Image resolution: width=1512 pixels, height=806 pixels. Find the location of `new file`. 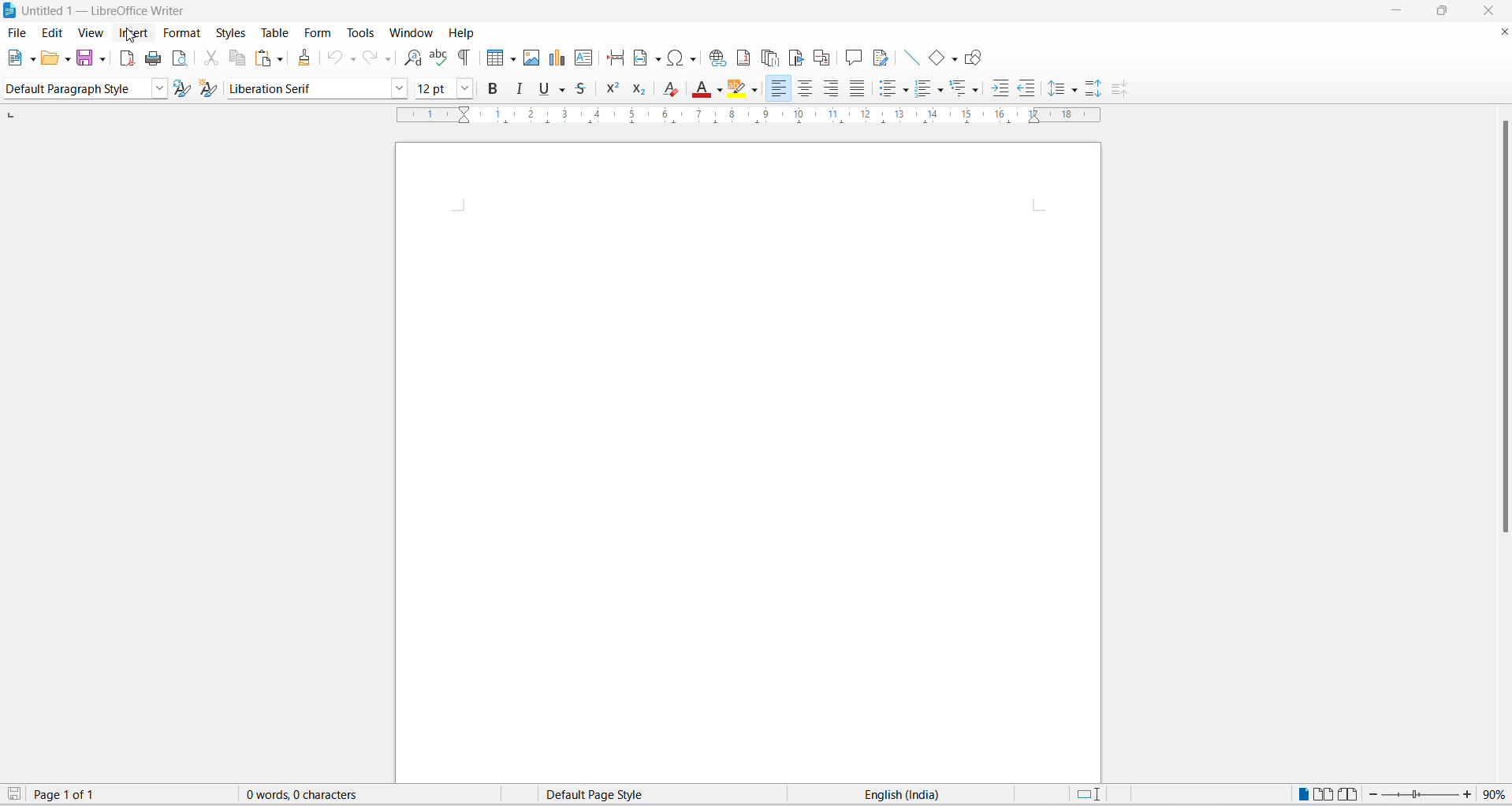

new file is located at coordinates (15, 58).